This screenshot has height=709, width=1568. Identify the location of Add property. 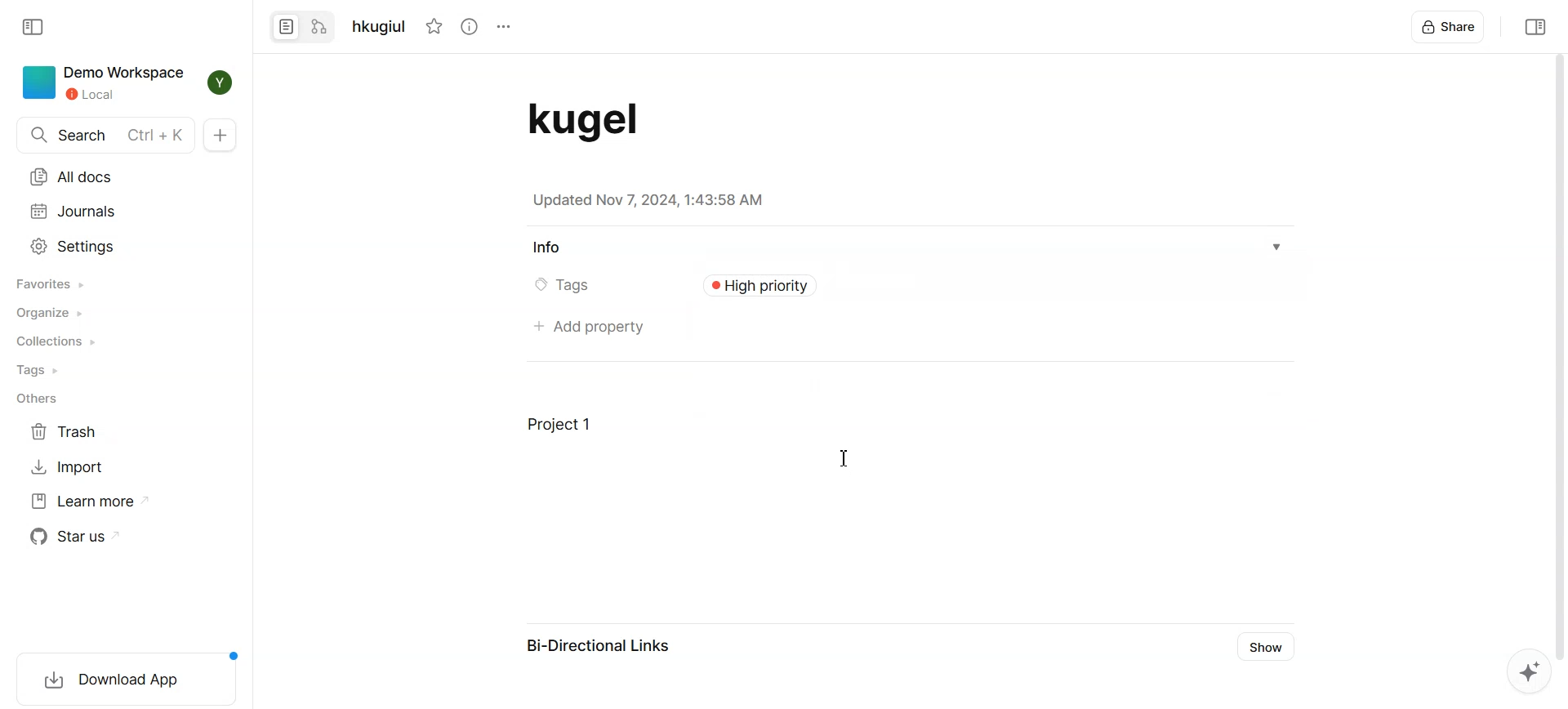
(590, 326).